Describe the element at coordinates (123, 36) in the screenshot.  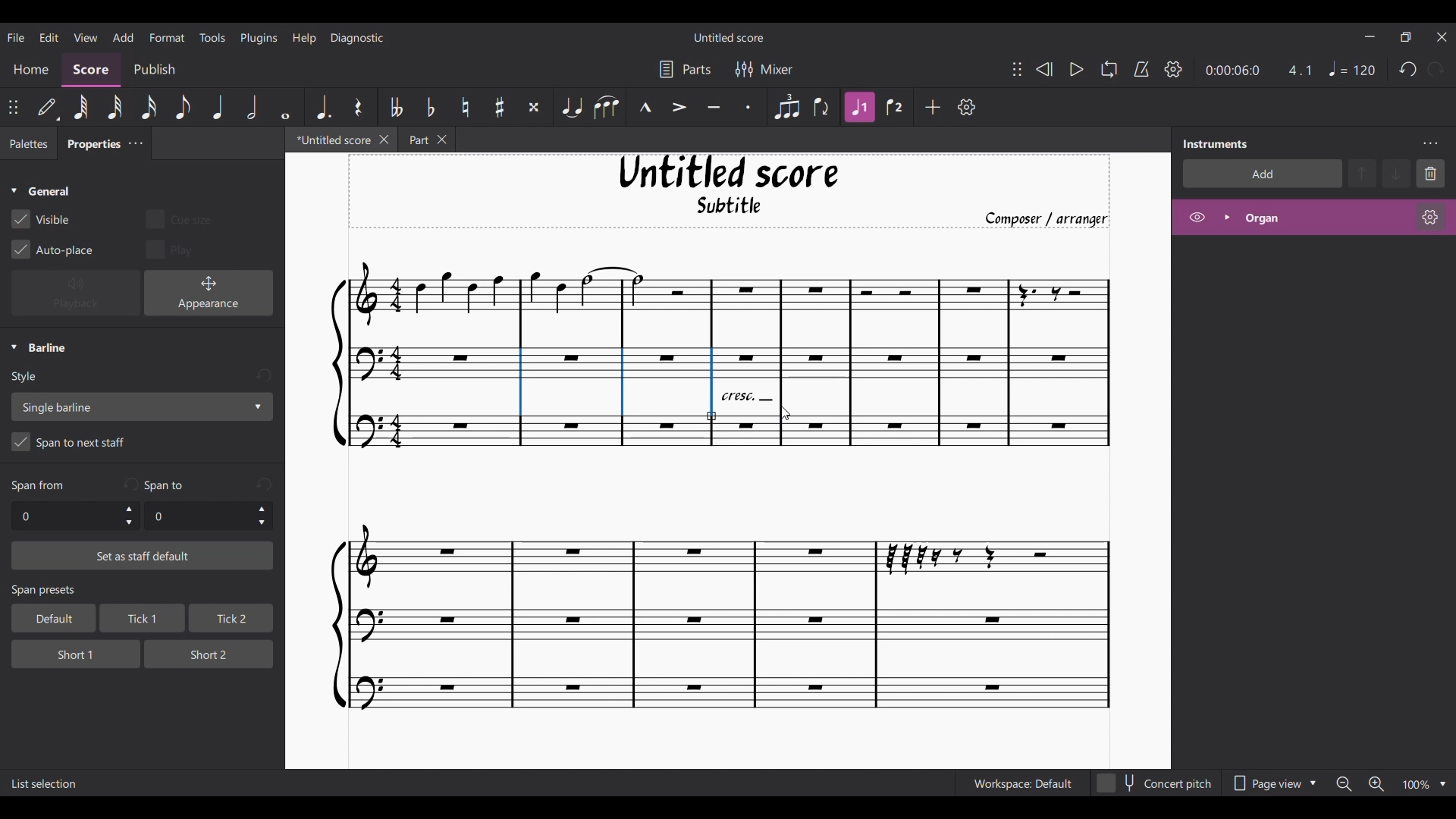
I see `Add menu` at that location.